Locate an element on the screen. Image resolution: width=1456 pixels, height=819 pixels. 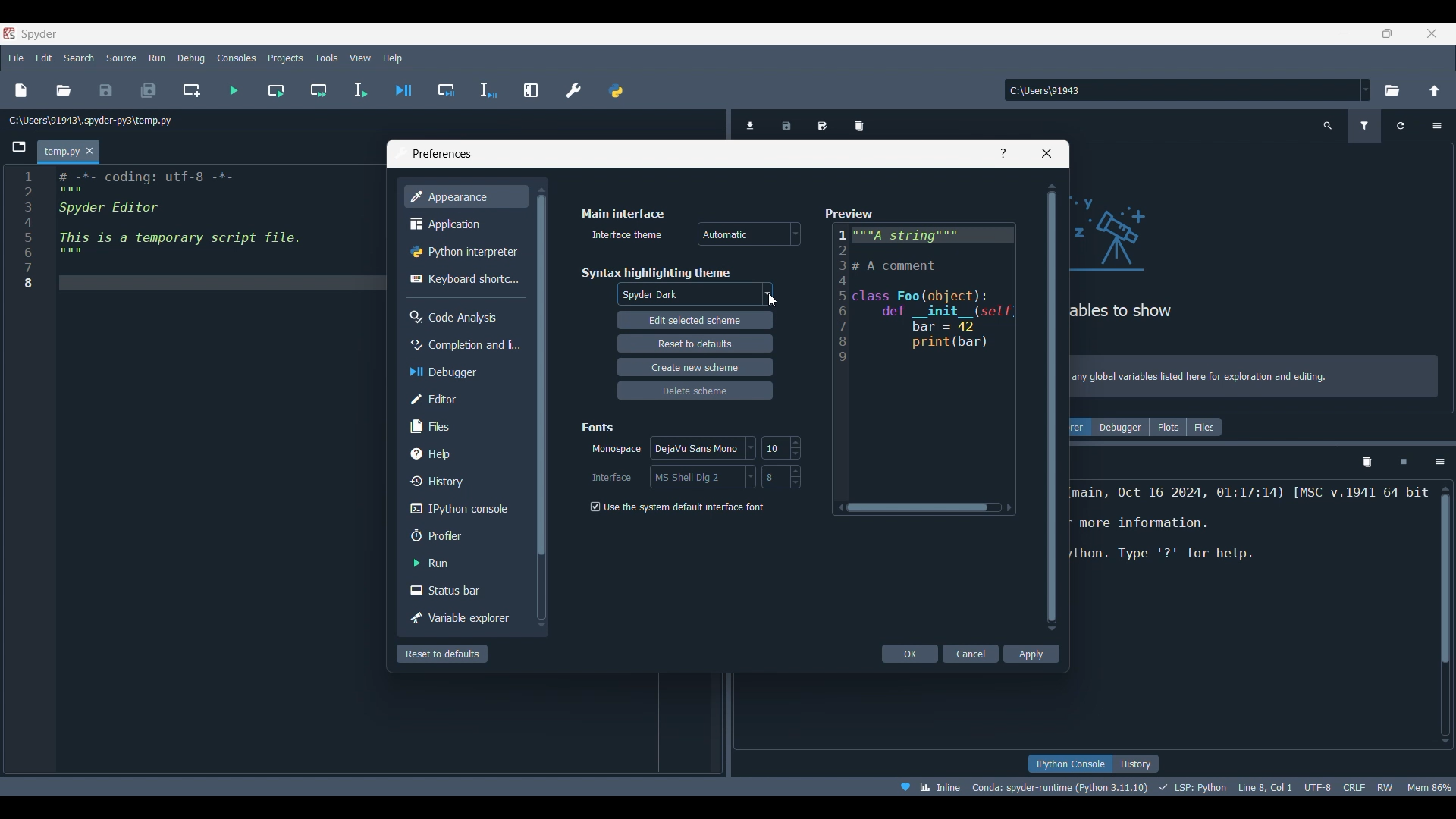
Close interface is located at coordinates (1432, 33).